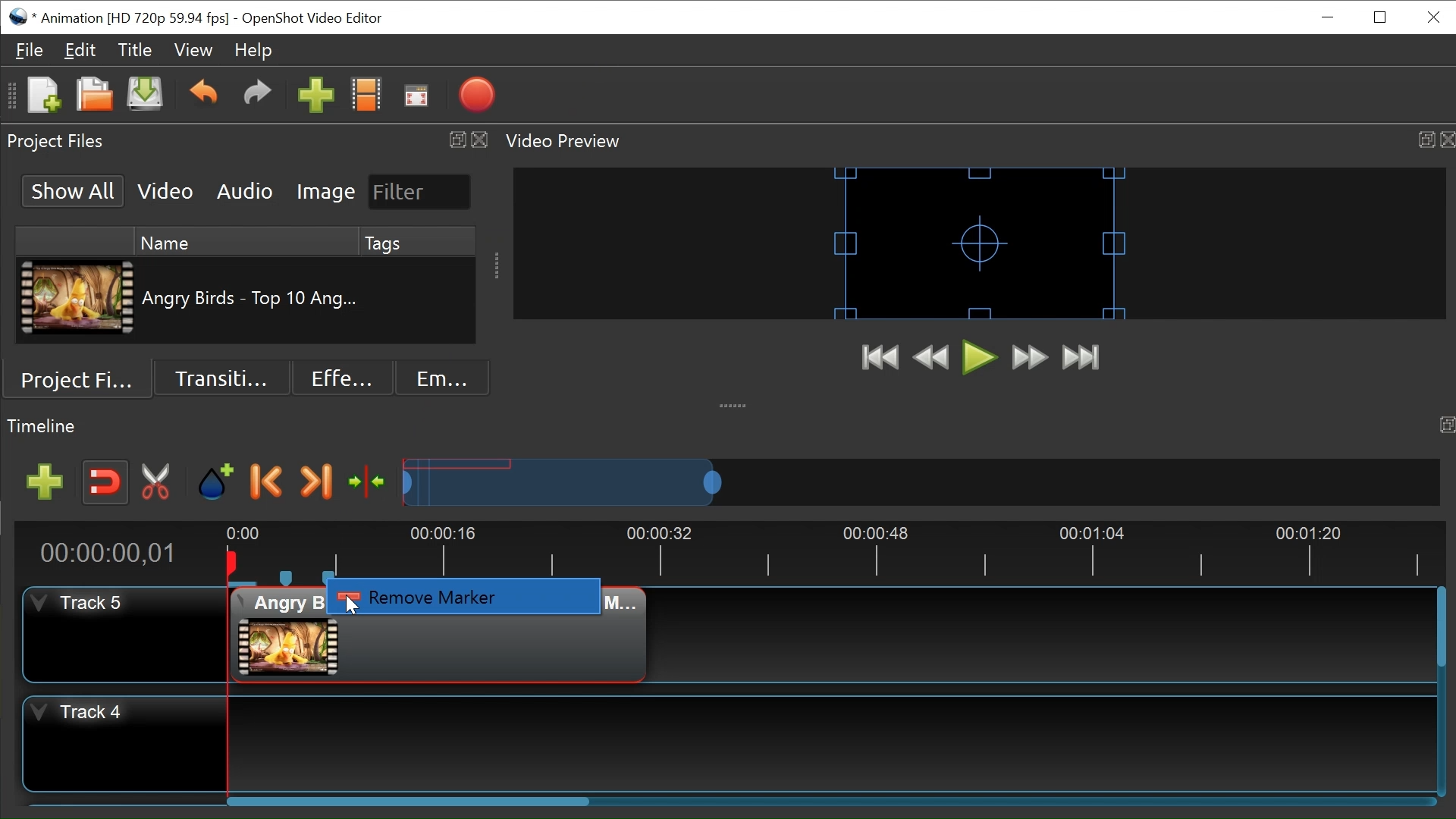  What do you see at coordinates (417, 242) in the screenshot?
I see `Tags` at bounding box center [417, 242].